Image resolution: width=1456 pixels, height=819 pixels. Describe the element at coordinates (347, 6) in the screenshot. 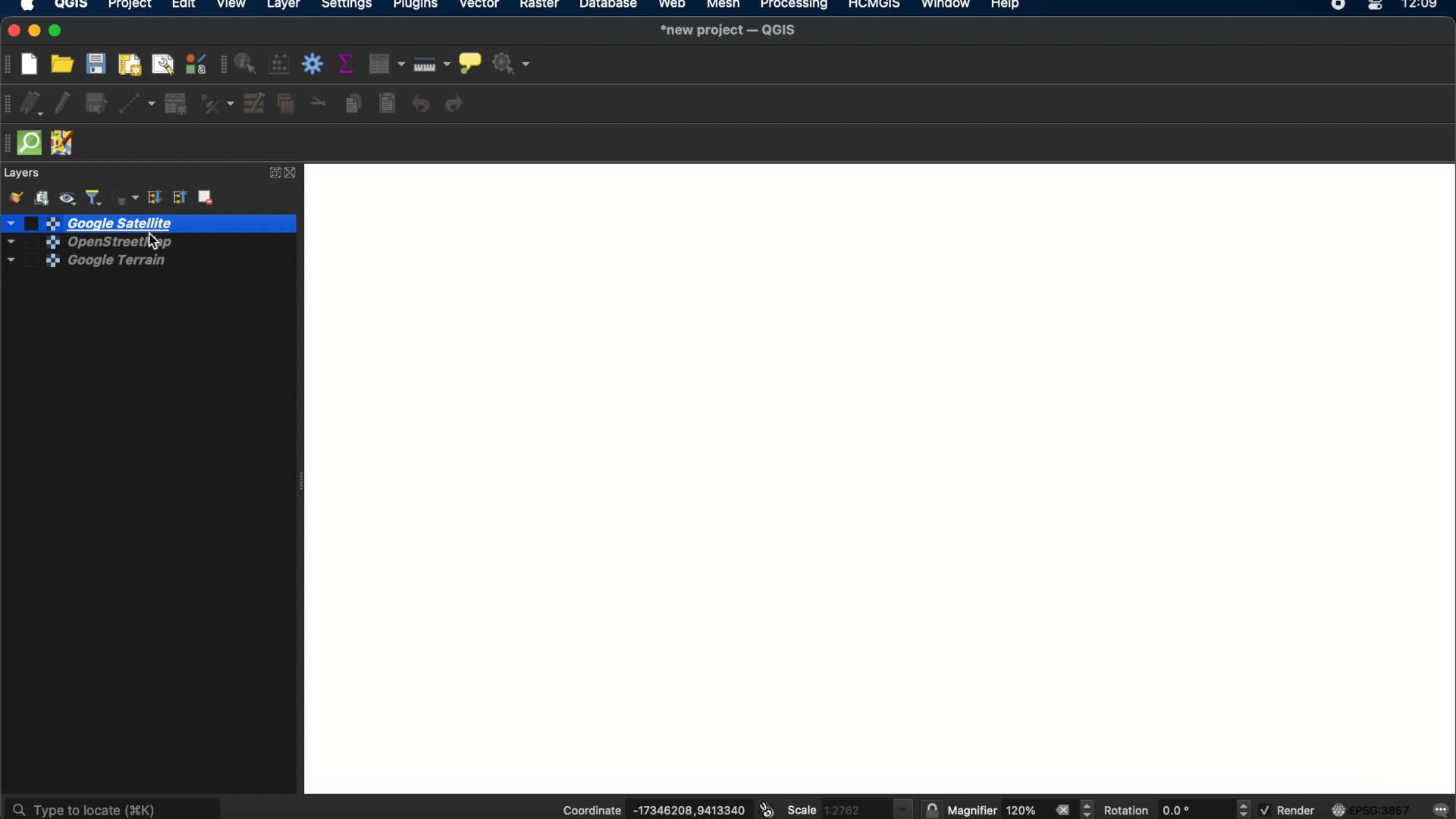

I see `settings` at that location.